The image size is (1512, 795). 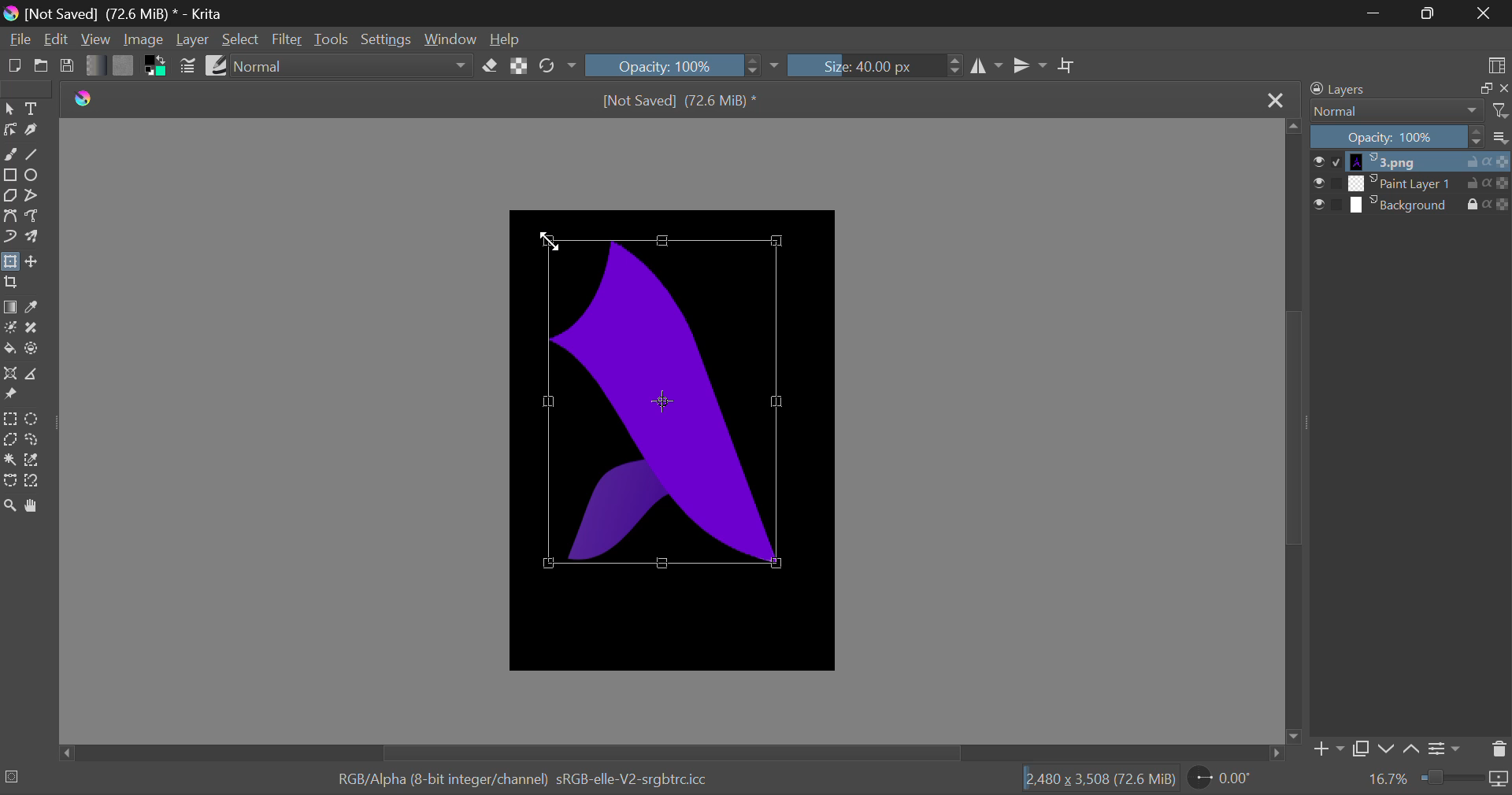 I want to click on Transform Layers, so click(x=10, y=264).